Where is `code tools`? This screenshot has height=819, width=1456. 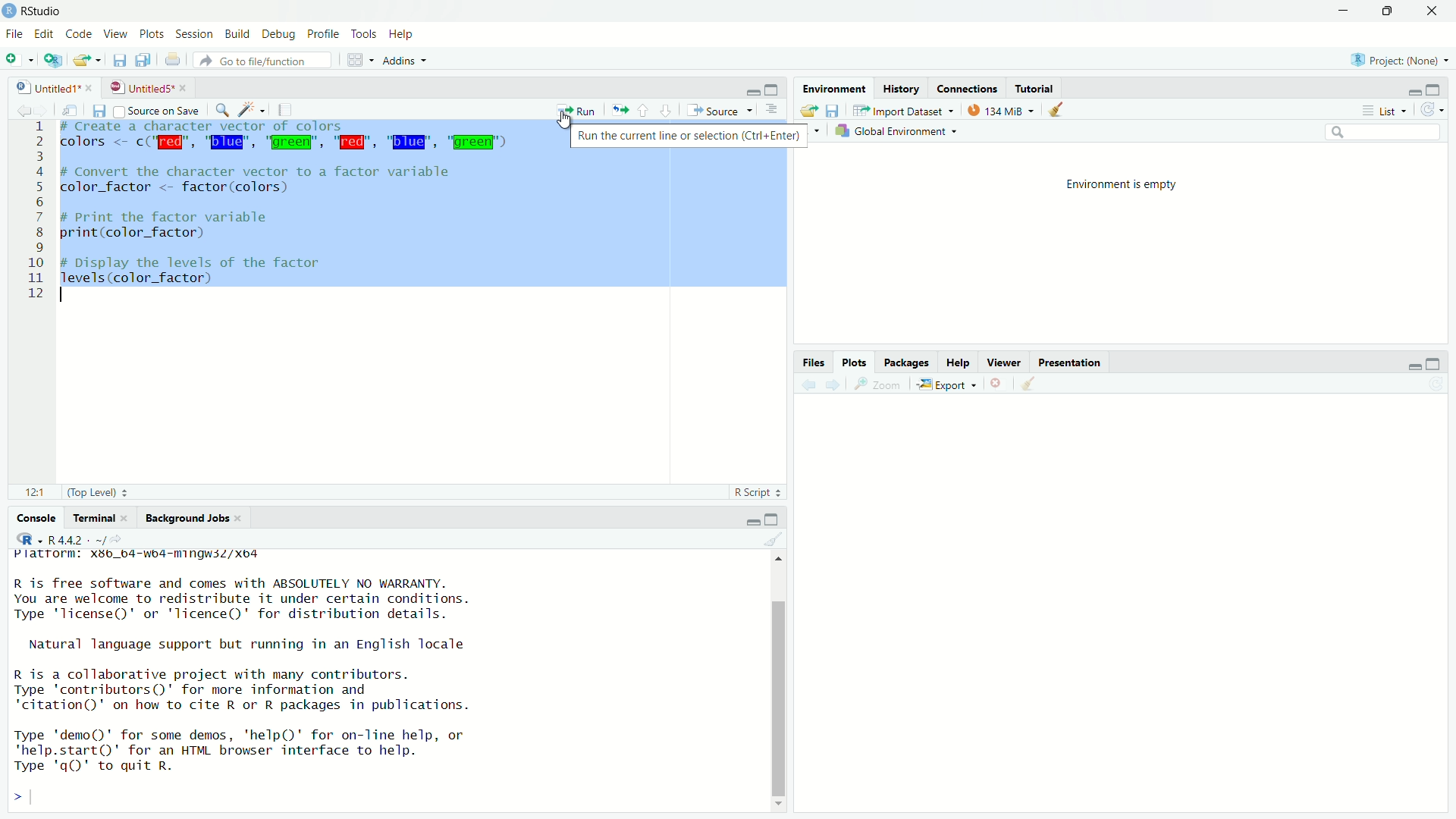
code tools is located at coordinates (253, 110).